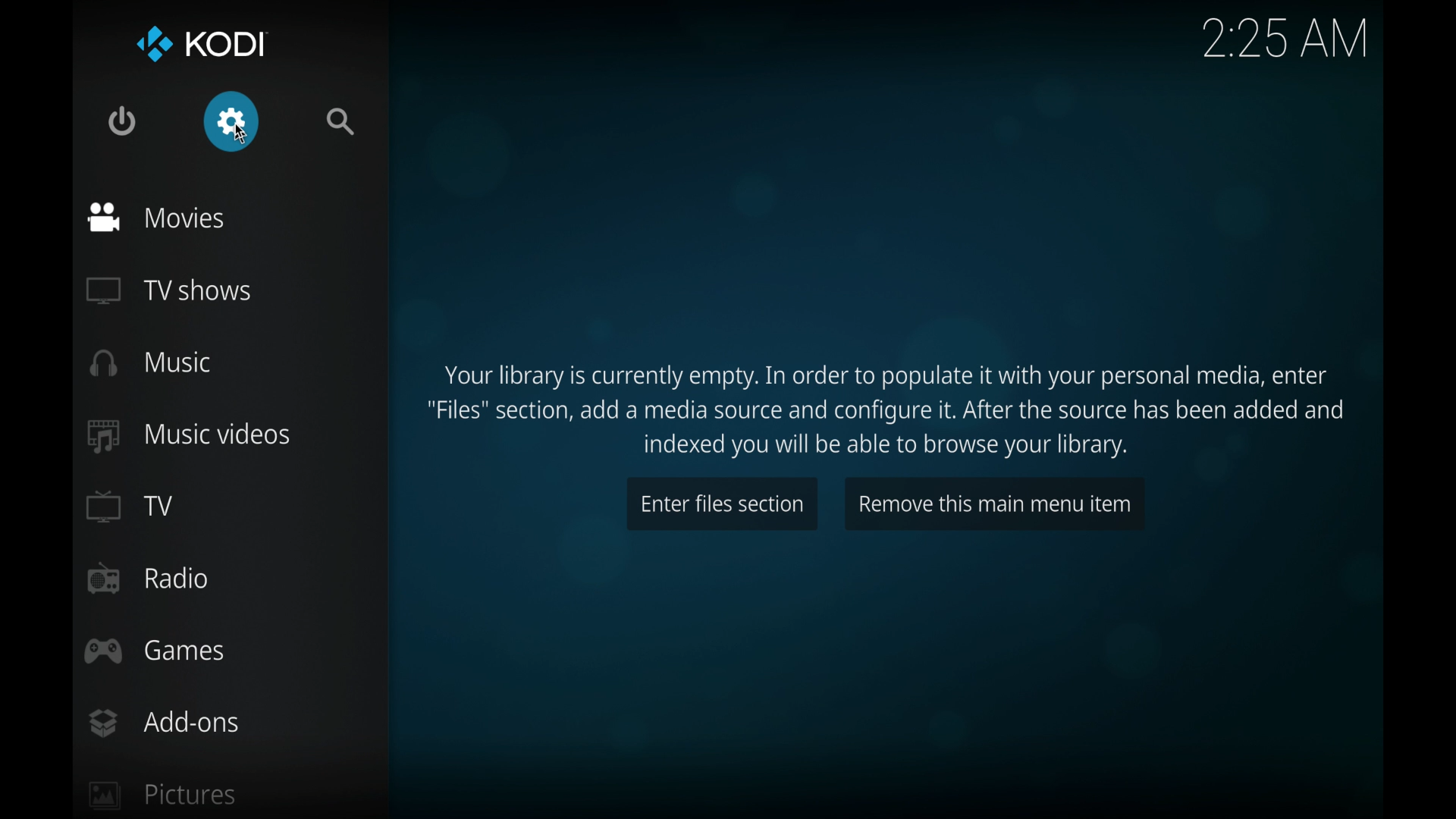 Image resolution: width=1456 pixels, height=819 pixels. I want to click on kodi, so click(227, 45).